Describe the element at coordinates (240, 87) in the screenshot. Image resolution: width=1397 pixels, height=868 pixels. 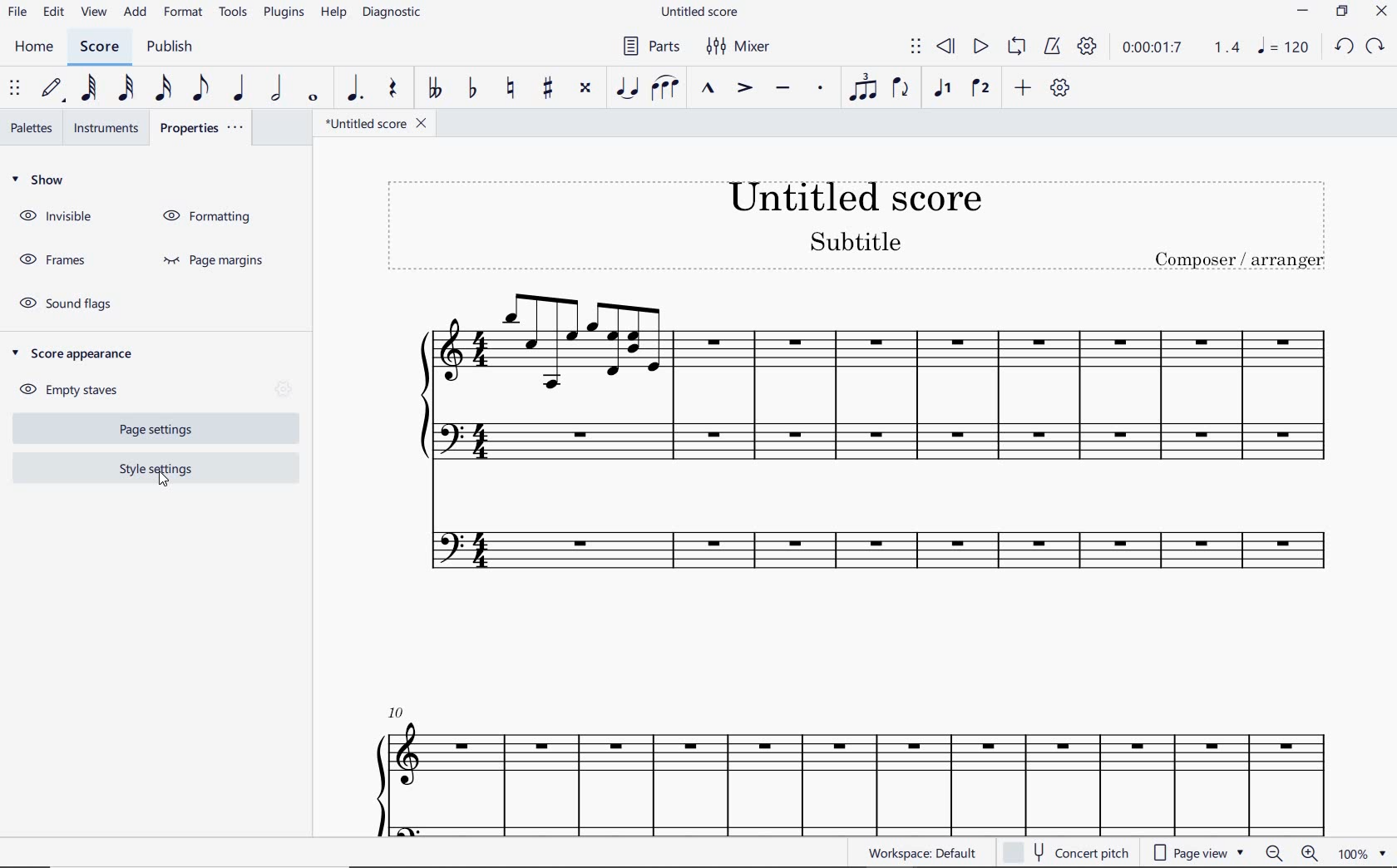
I see `QUARTER NOTE` at that location.